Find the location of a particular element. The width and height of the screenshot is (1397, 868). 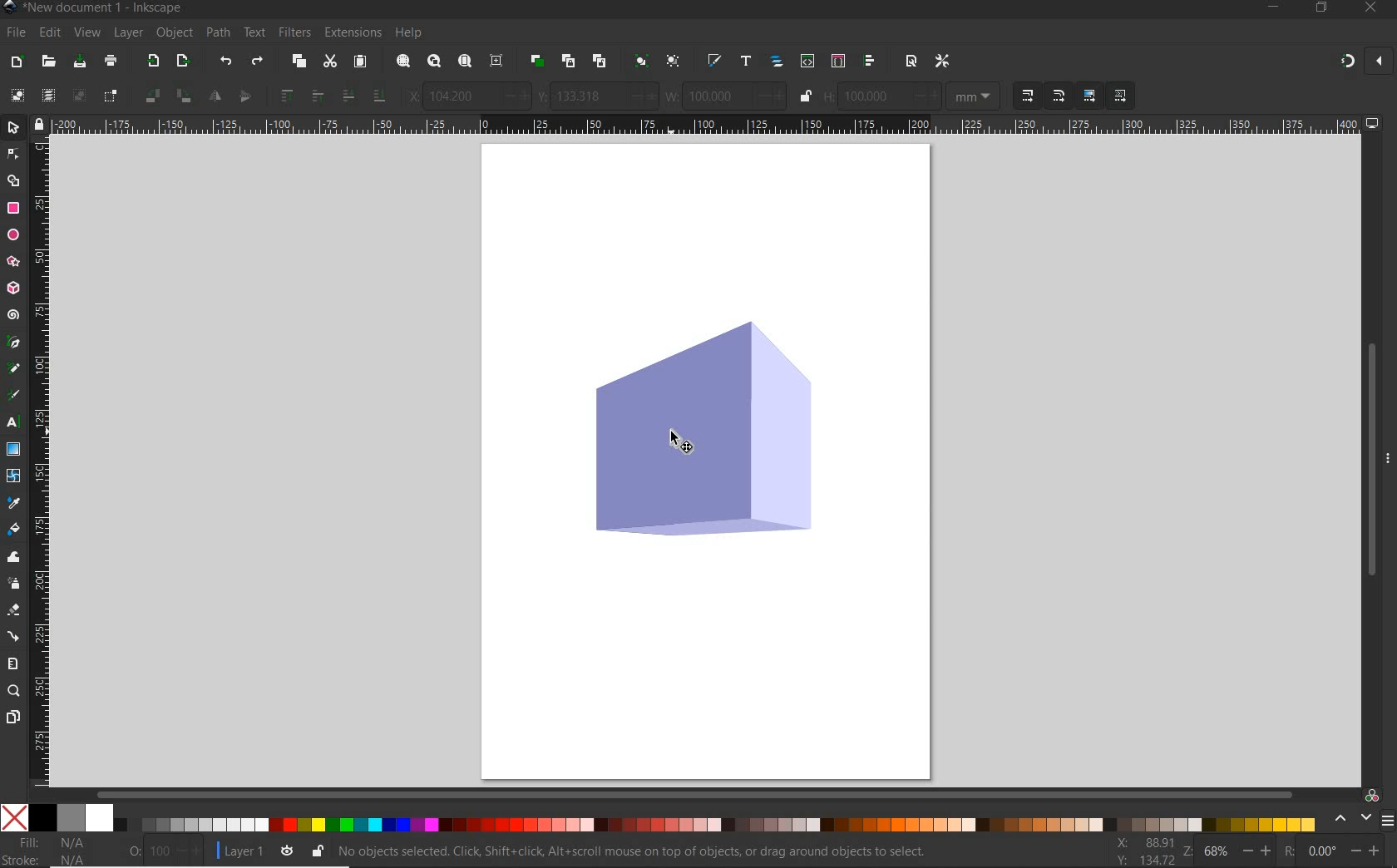

WHENSCALING OBJECTS is located at coordinates (1059, 96).